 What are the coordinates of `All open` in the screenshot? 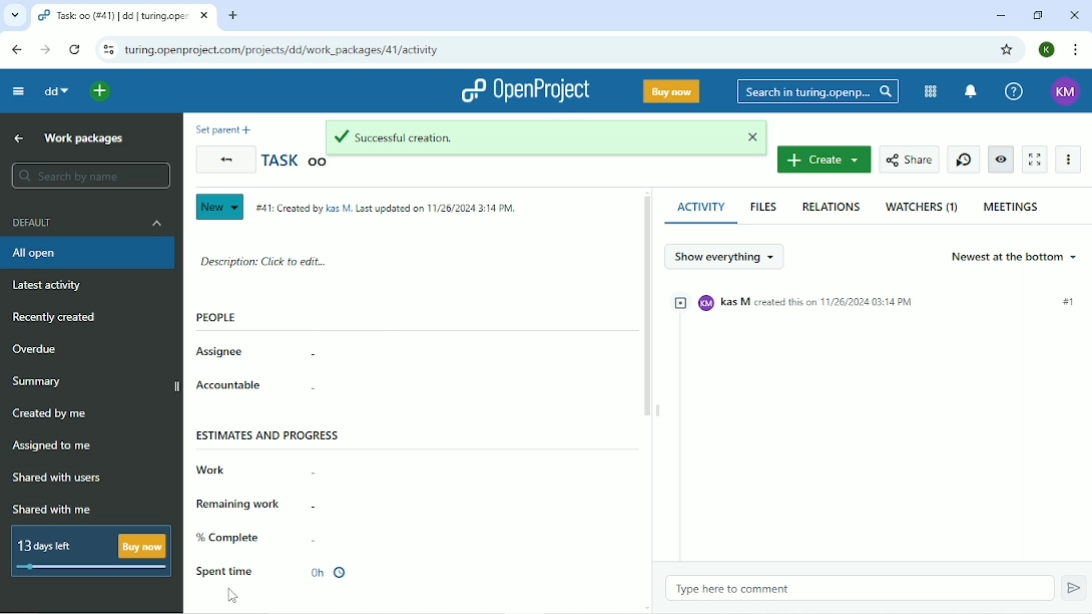 It's located at (38, 254).